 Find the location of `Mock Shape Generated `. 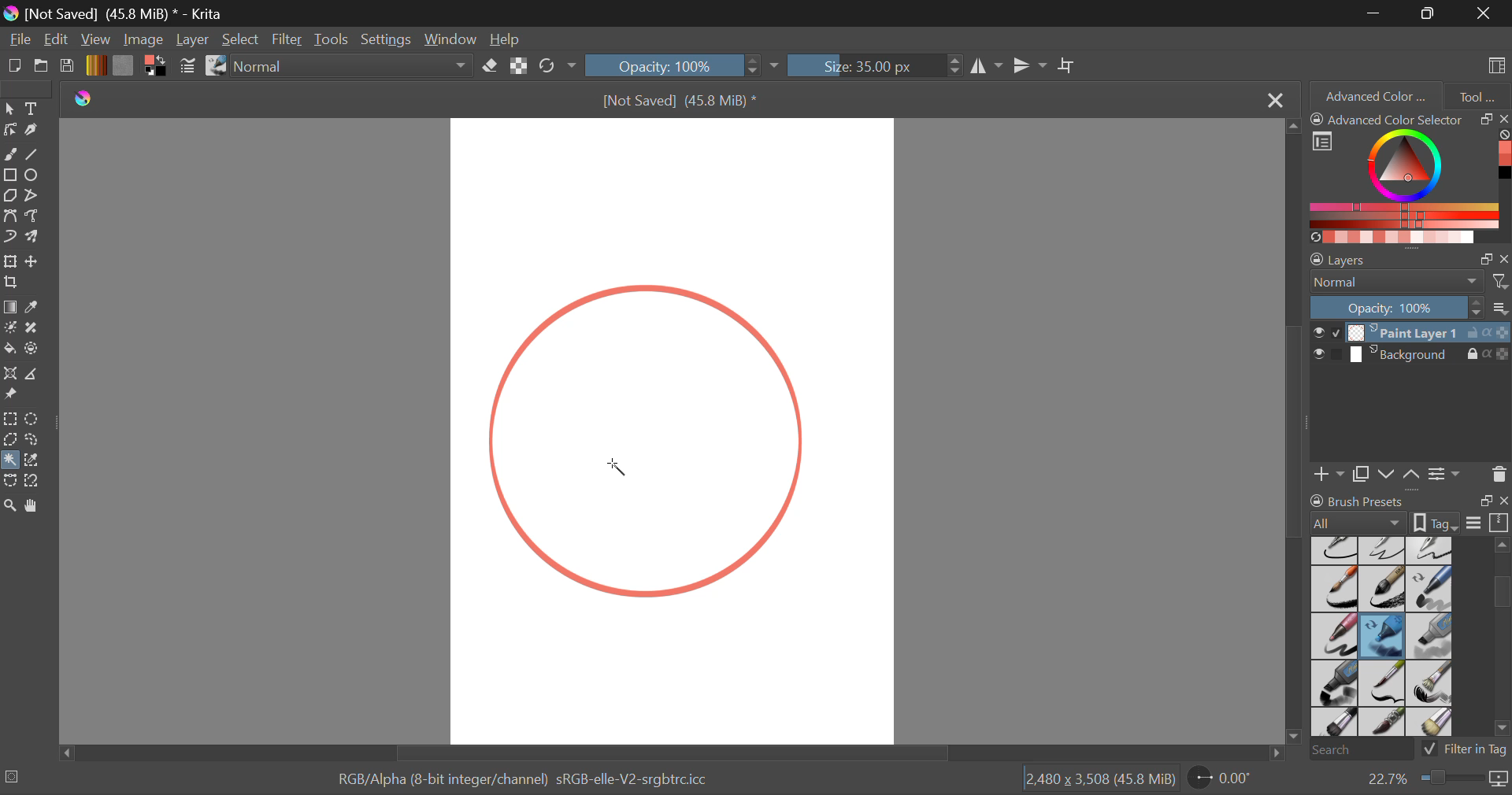

Mock Shape Generated  is located at coordinates (656, 444).